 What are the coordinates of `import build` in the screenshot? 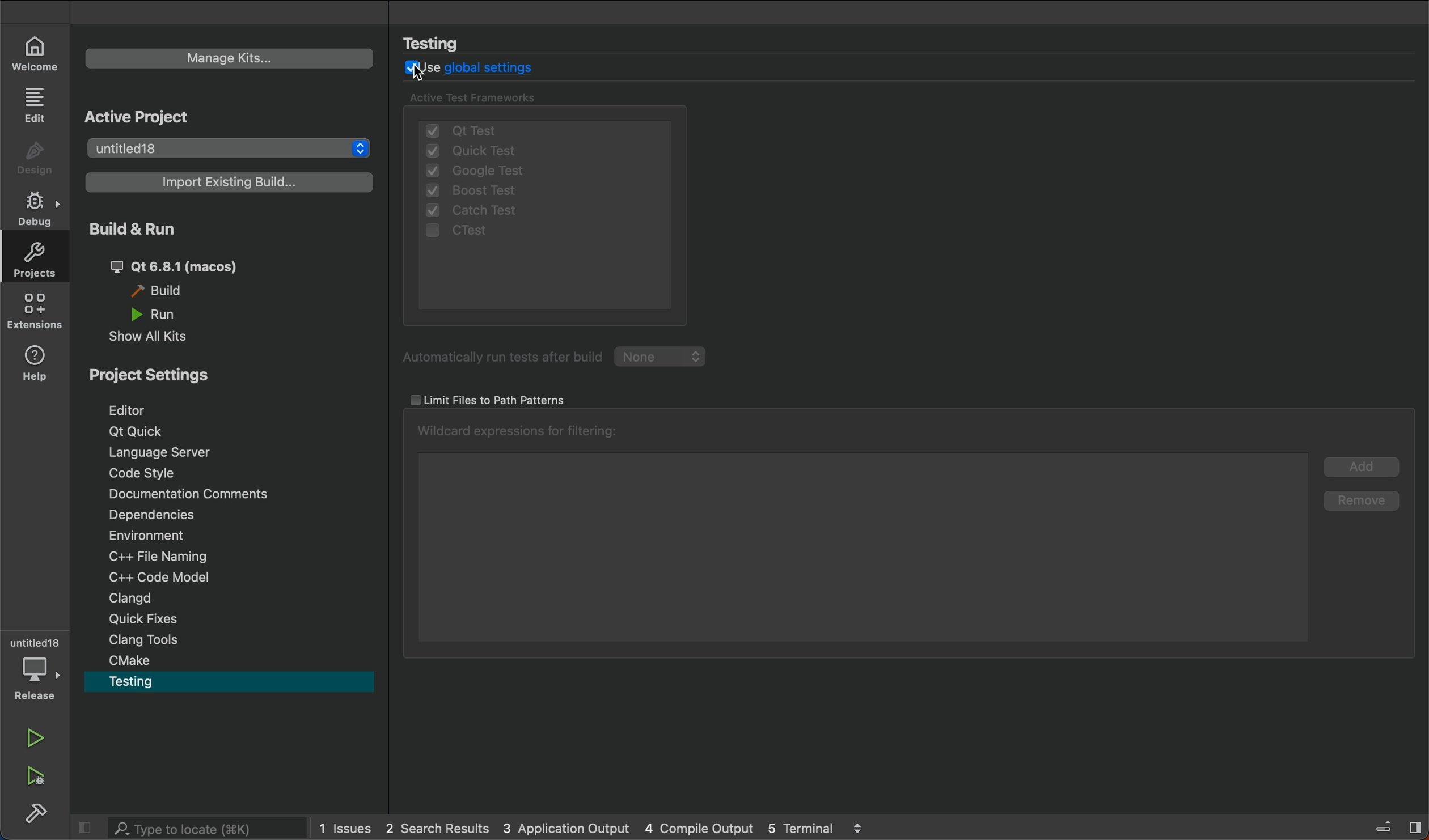 It's located at (230, 183).